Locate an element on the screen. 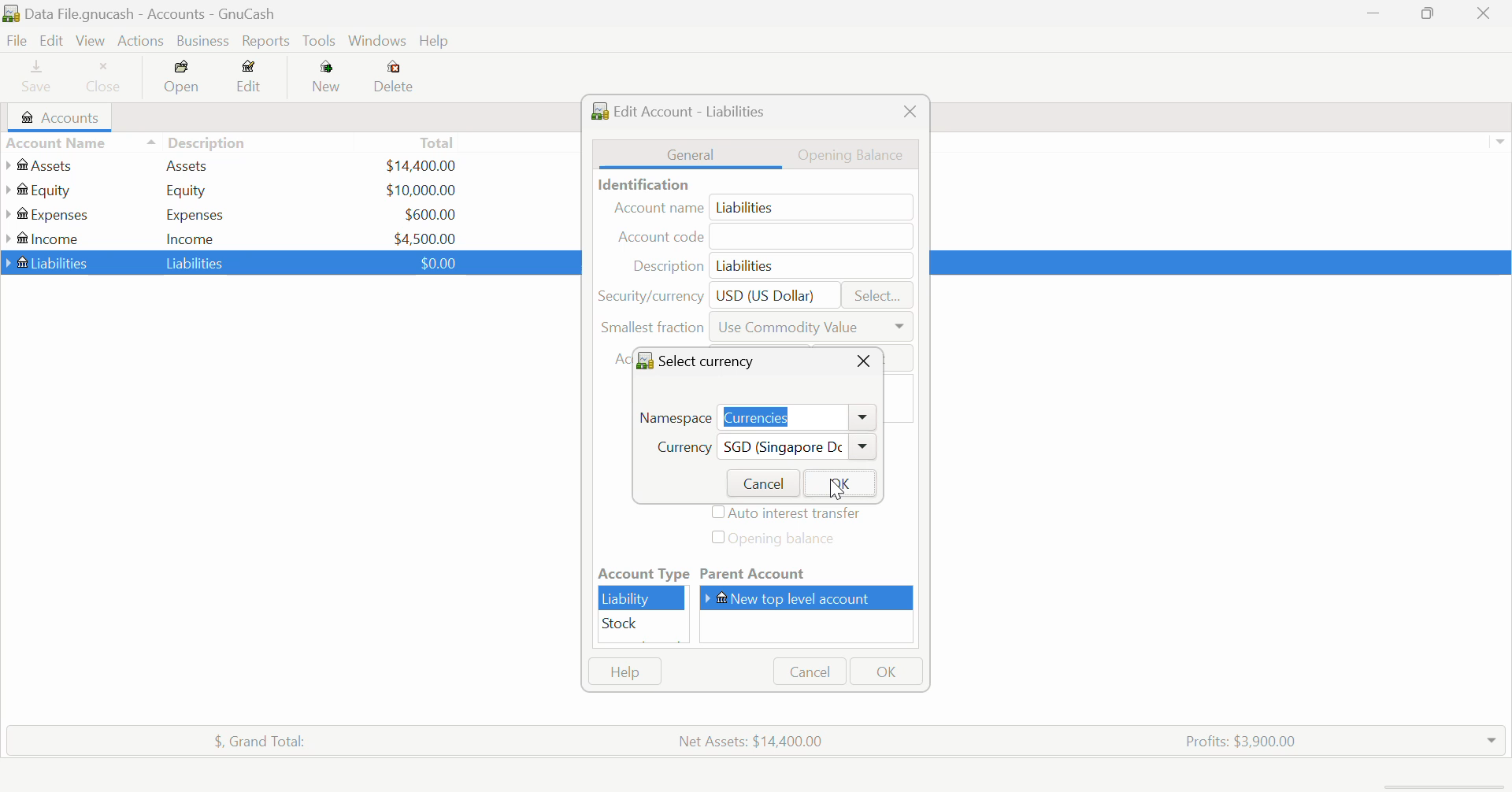 The height and width of the screenshot is (792, 1512). USD is located at coordinates (434, 262).